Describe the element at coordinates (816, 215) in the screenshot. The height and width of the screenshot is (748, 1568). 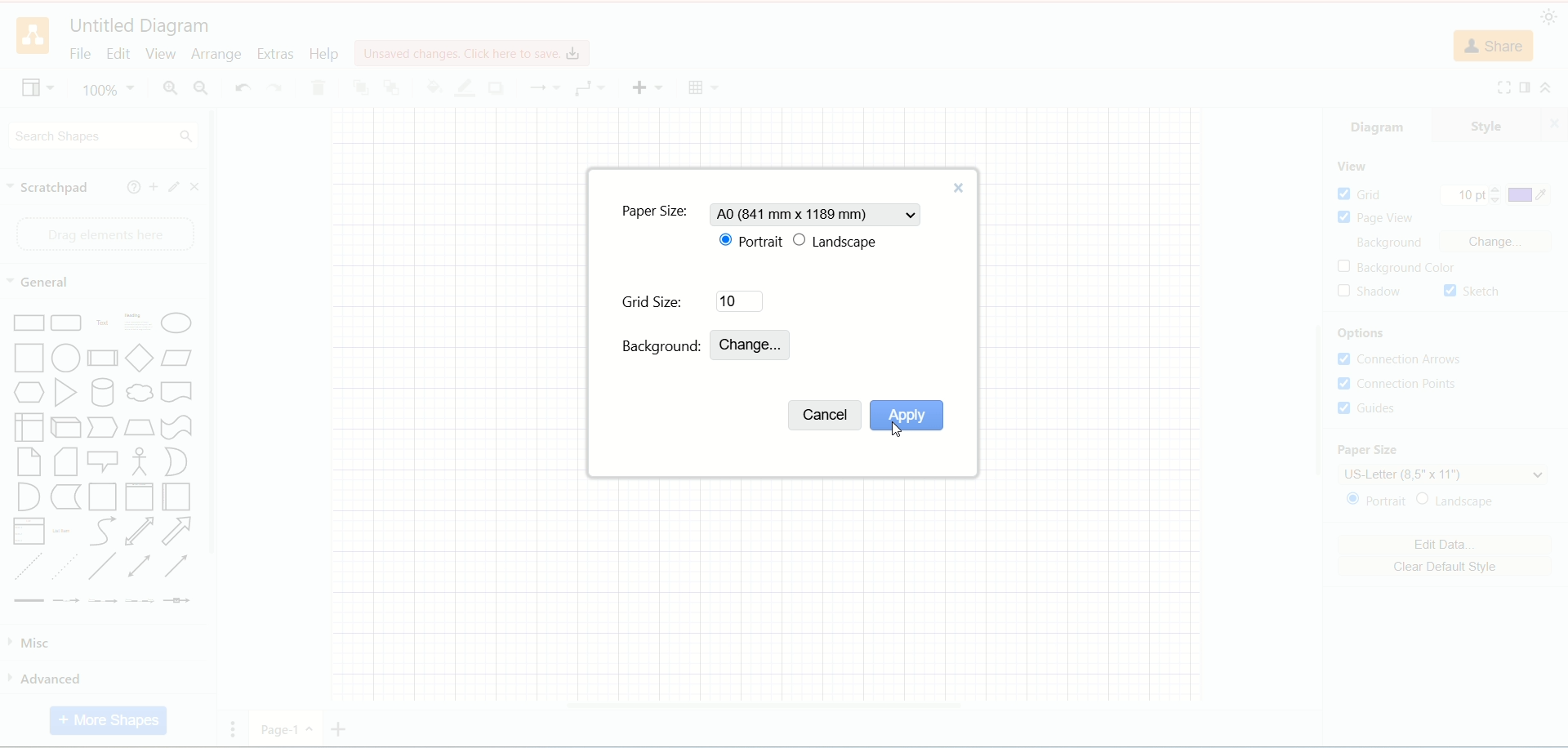
I see `A0 size` at that location.